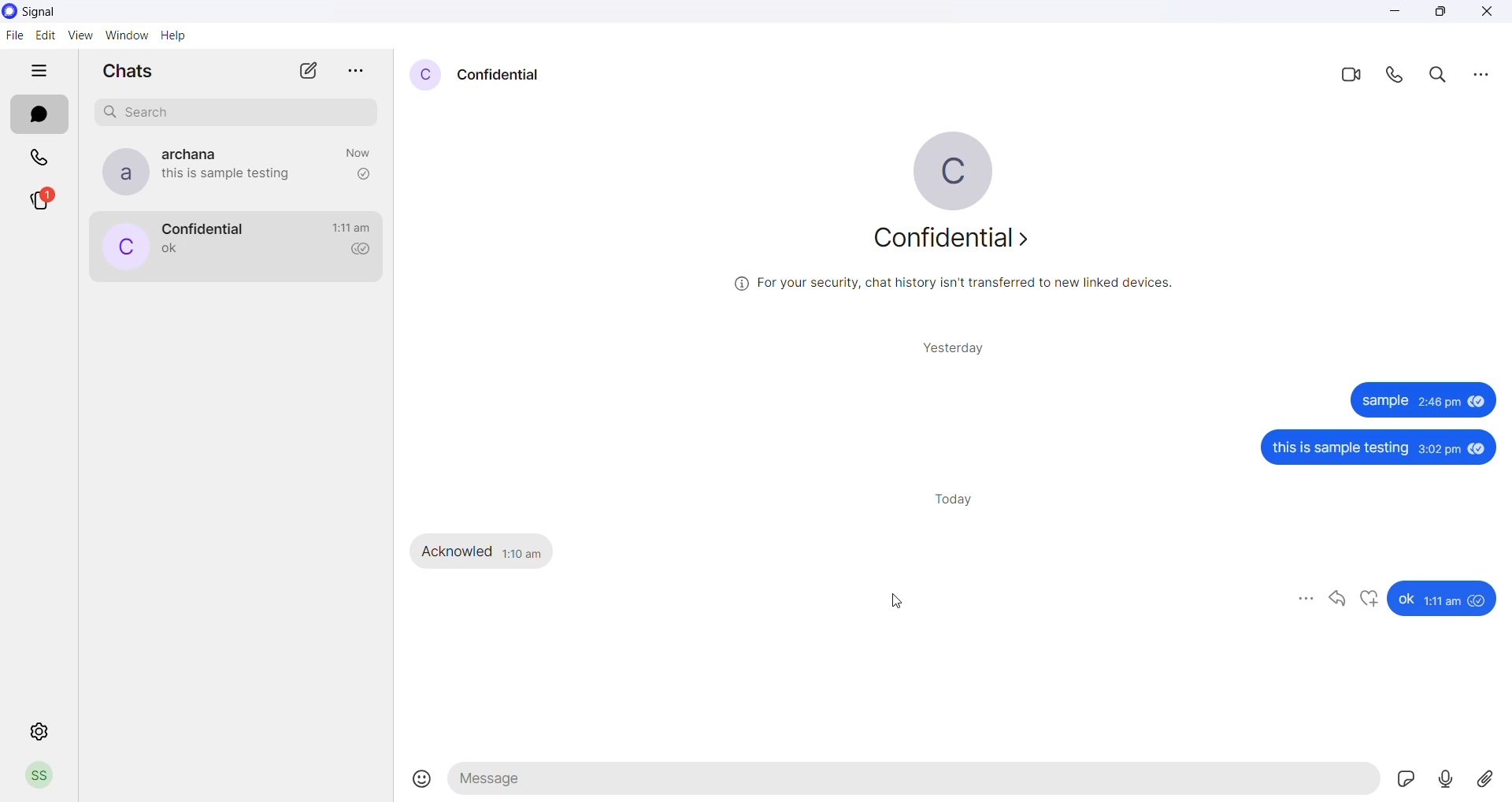  Describe the element at coordinates (424, 75) in the screenshot. I see `contact profile picture` at that location.